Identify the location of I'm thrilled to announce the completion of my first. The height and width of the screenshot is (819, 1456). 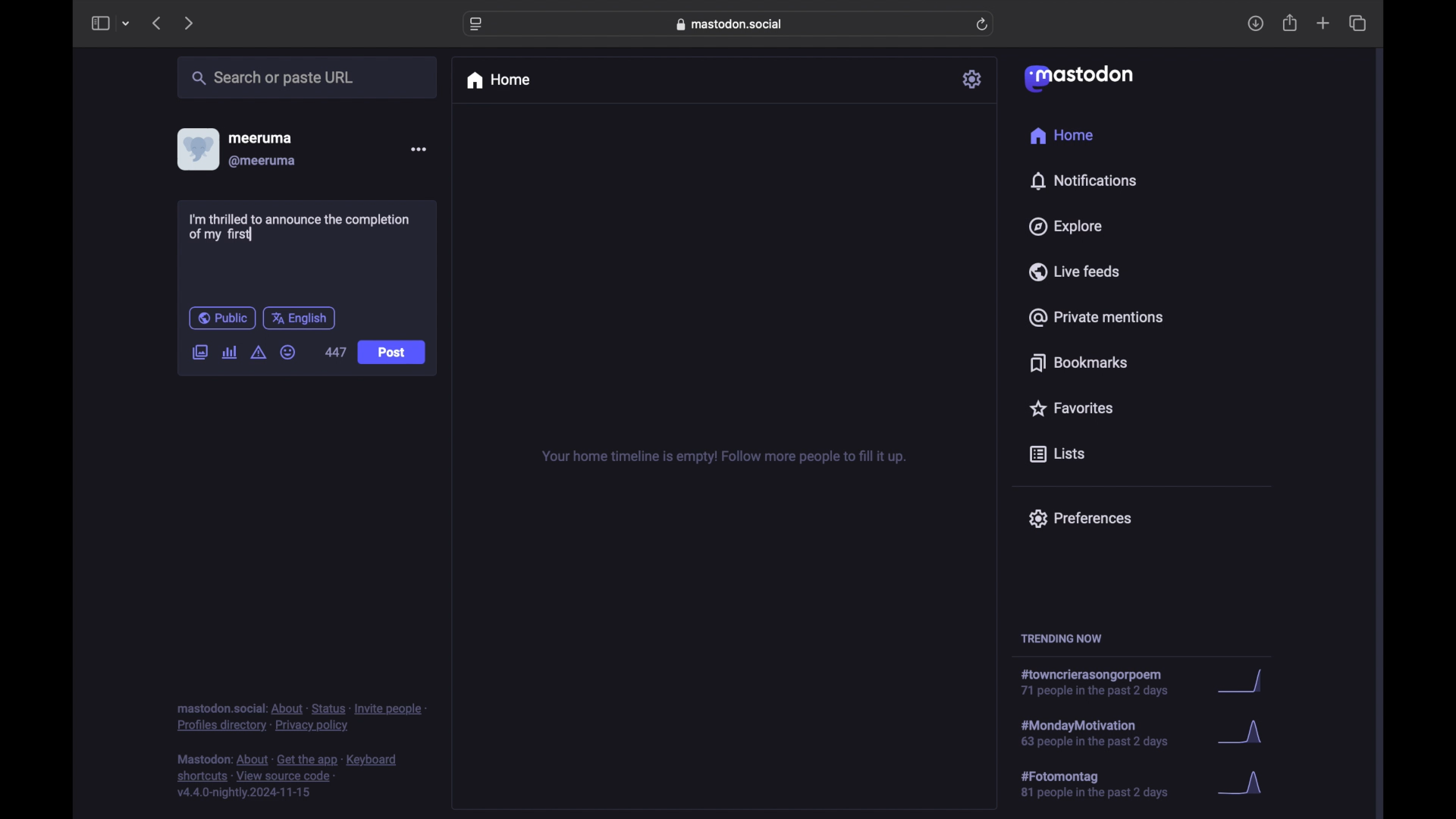
(296, 227).